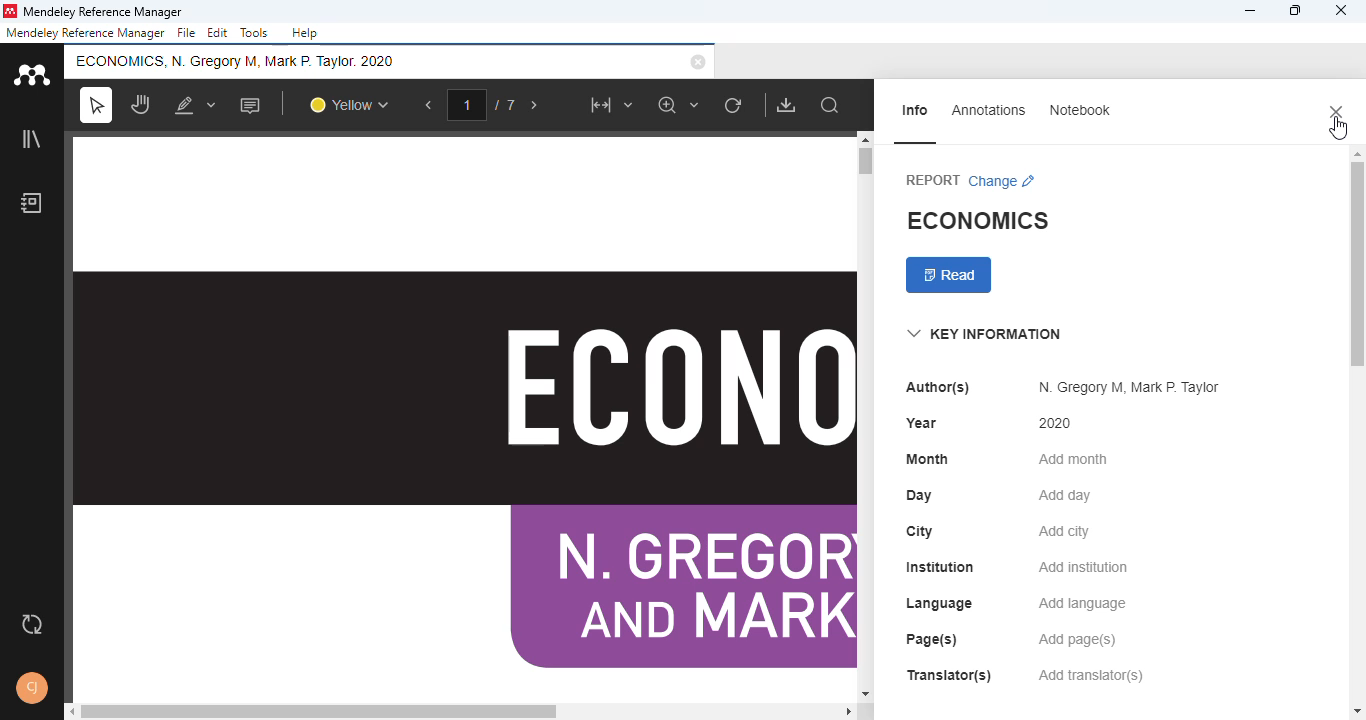 This screenshot has height=720, width=1366. Describe the element at coordinates (926, 458) in the screenshot. I see `month` at that location.